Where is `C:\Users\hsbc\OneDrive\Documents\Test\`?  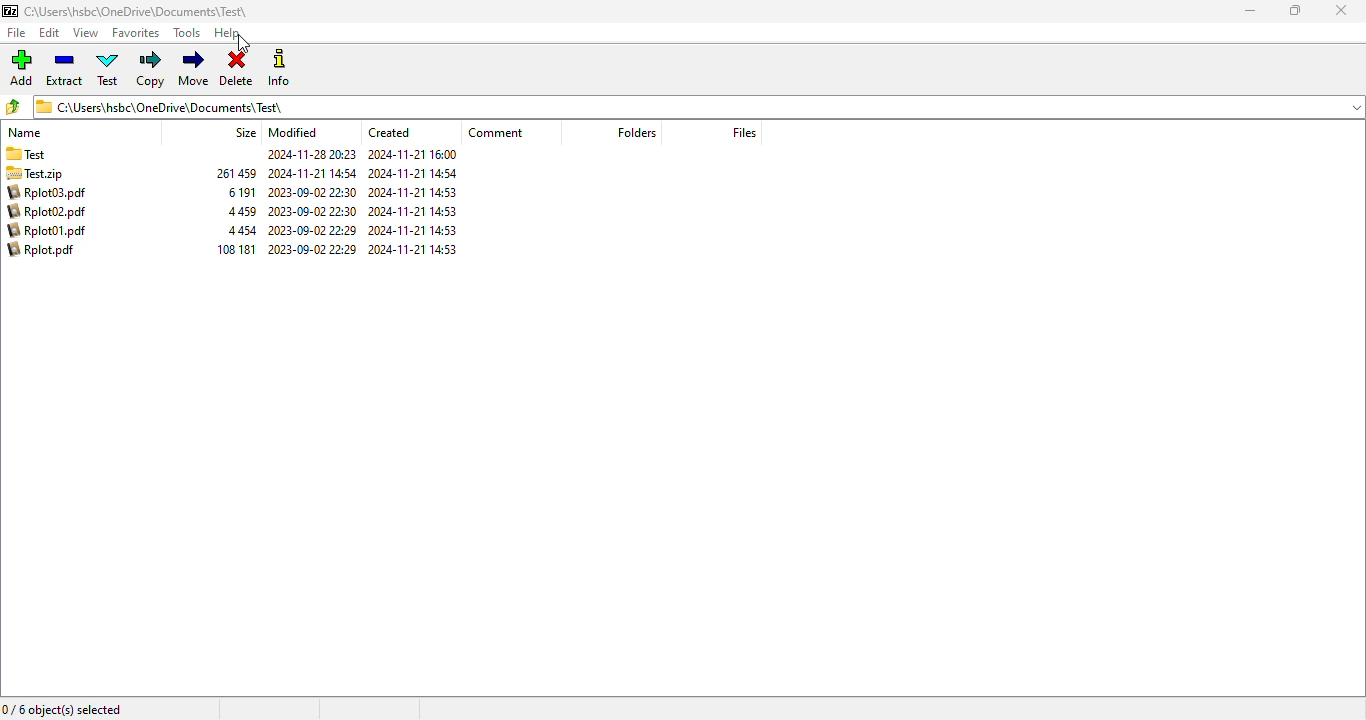
C:\Users\hsbc\OneDrive\Documents\Test\ is located at coordinates (137, 13).